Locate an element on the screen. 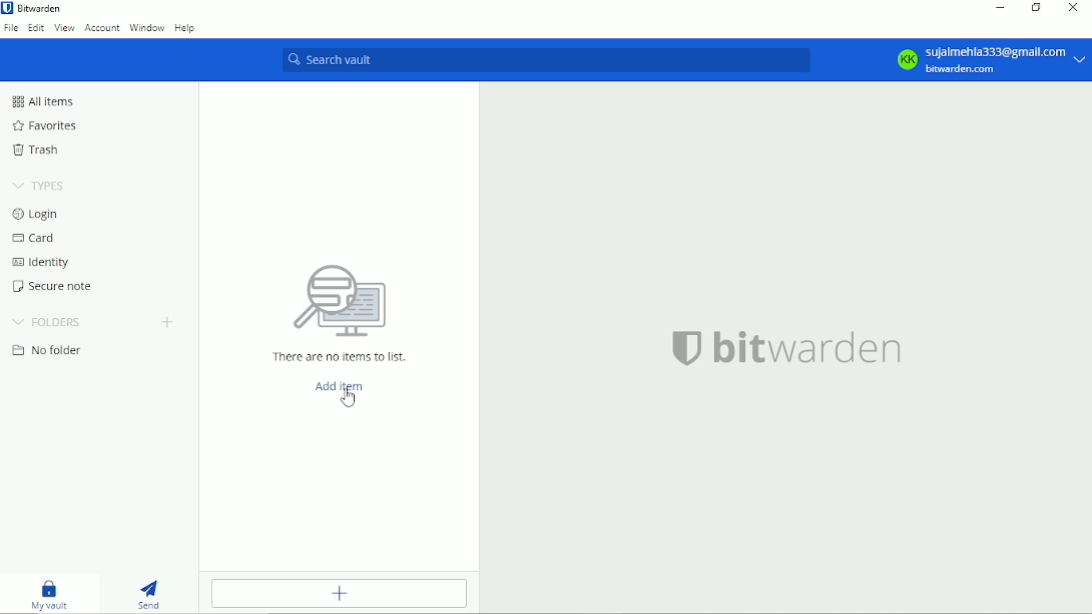  bitwarden is located at coordinates (782, 351).